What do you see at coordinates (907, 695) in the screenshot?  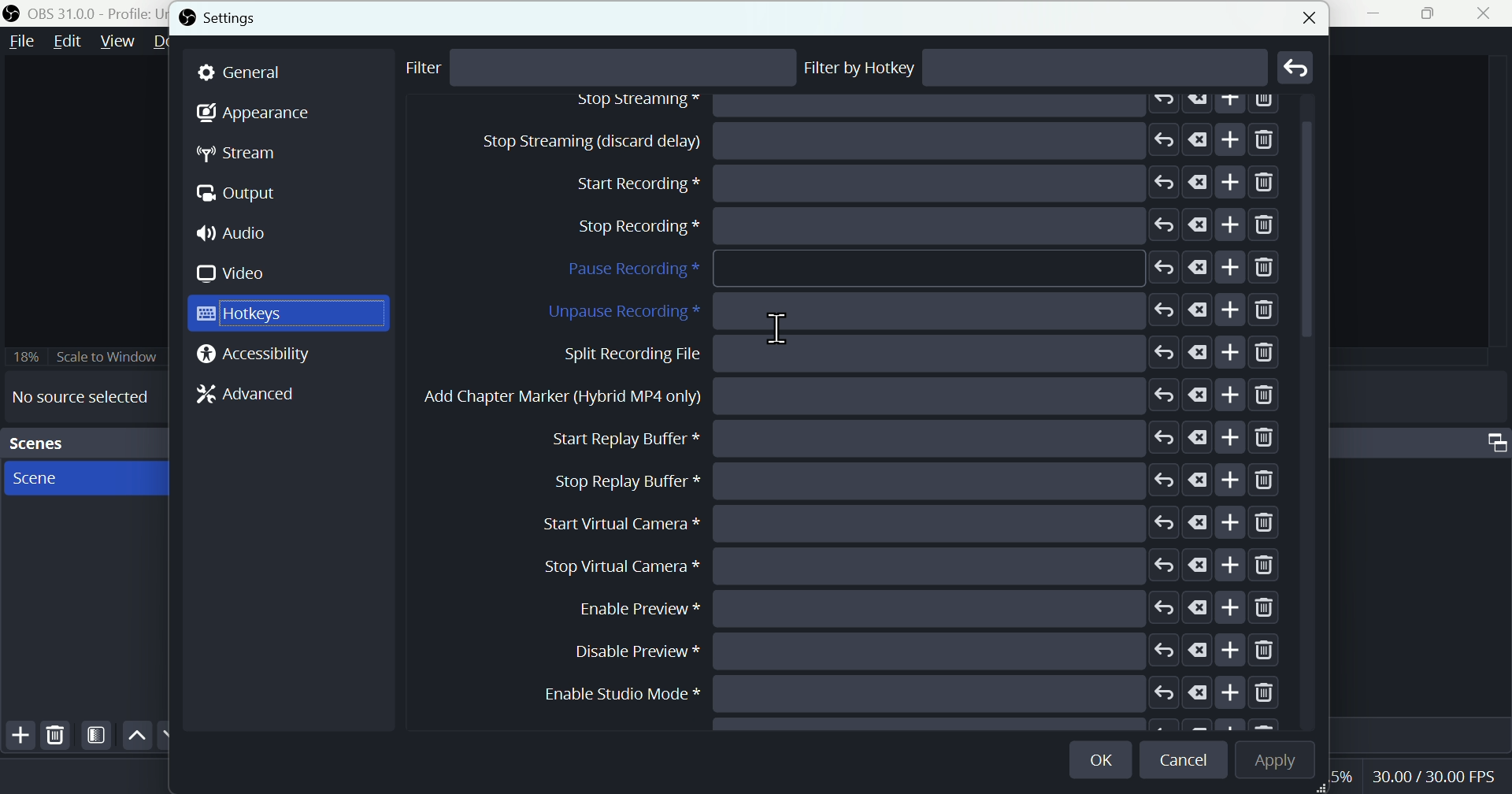 I see `Enable studio mode` at bounding box center [907, 695].